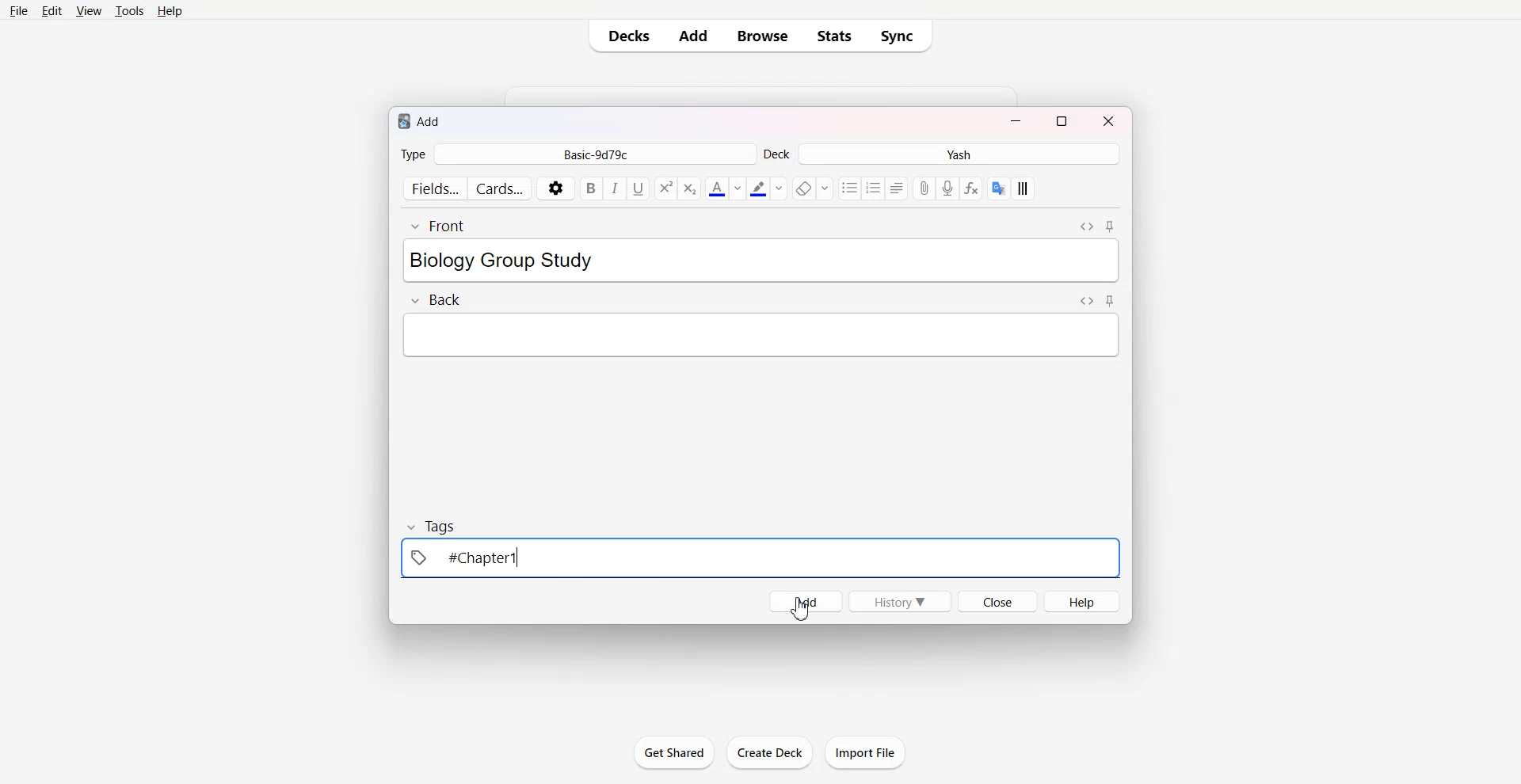  What do you see at coordinates (19, 12) in the screenshot?
I see `File` at bounding box center [19, 12].